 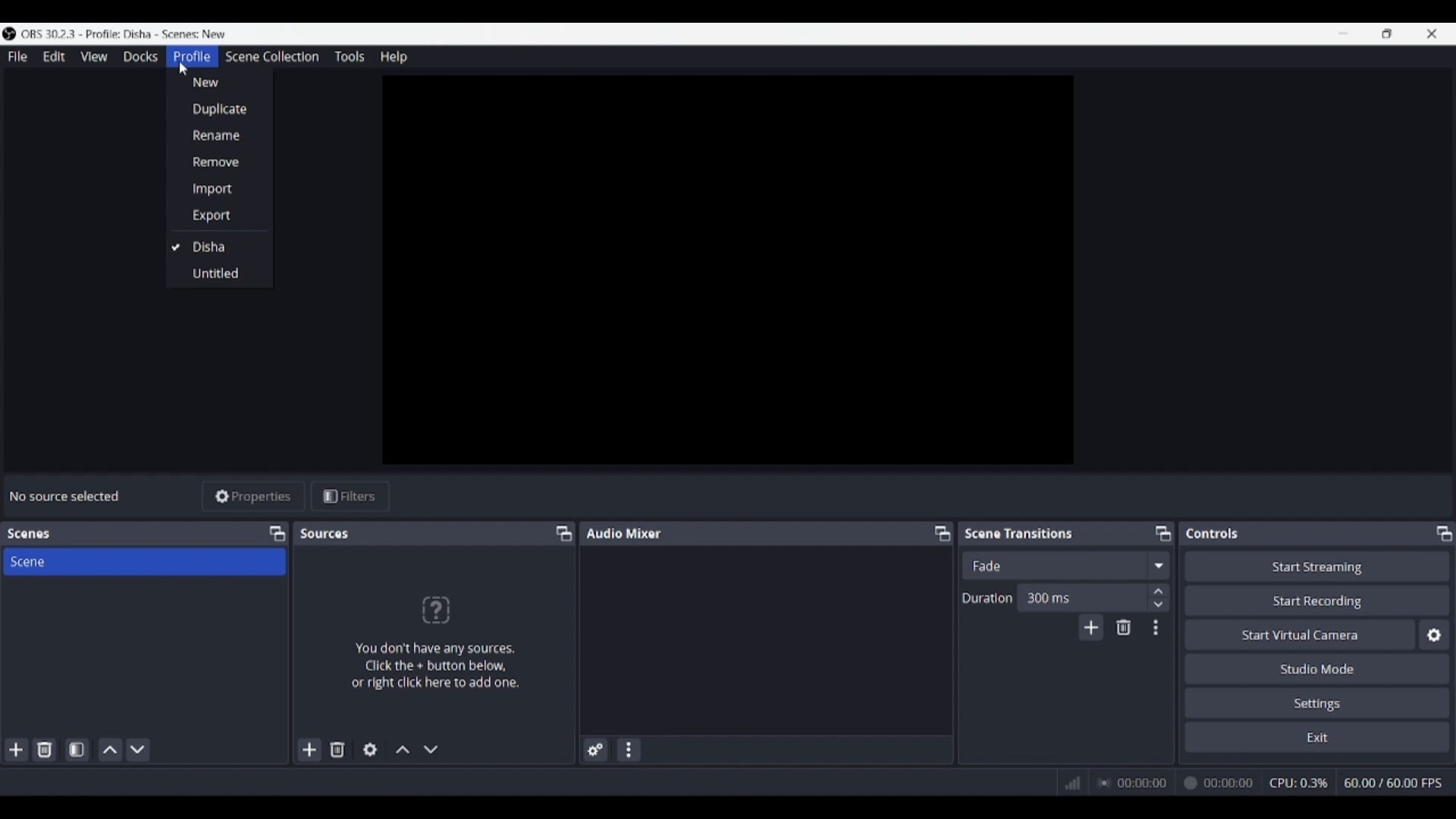 What do you see at coordinates (1318, 566) in the screenshot?
I see `Start streaming` at bounding box center [1318, 566].